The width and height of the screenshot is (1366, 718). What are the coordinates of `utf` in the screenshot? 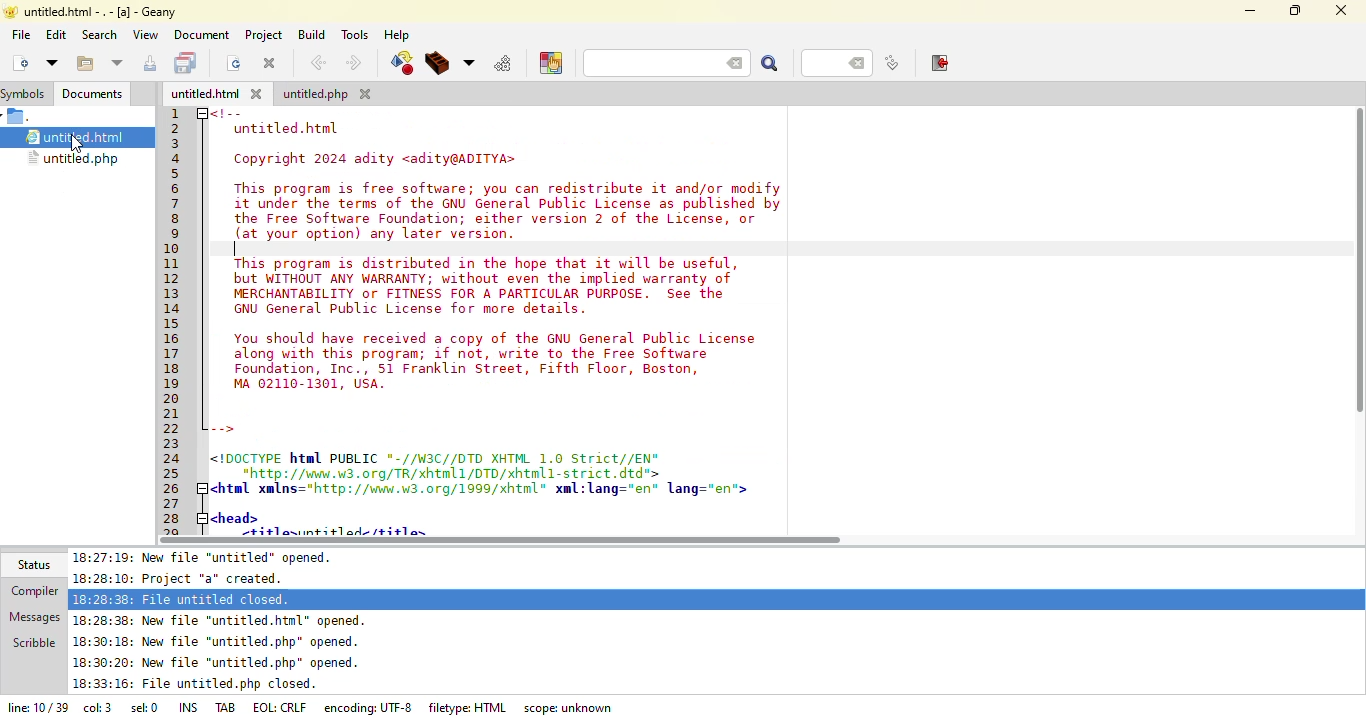 It's located at (366, 704).